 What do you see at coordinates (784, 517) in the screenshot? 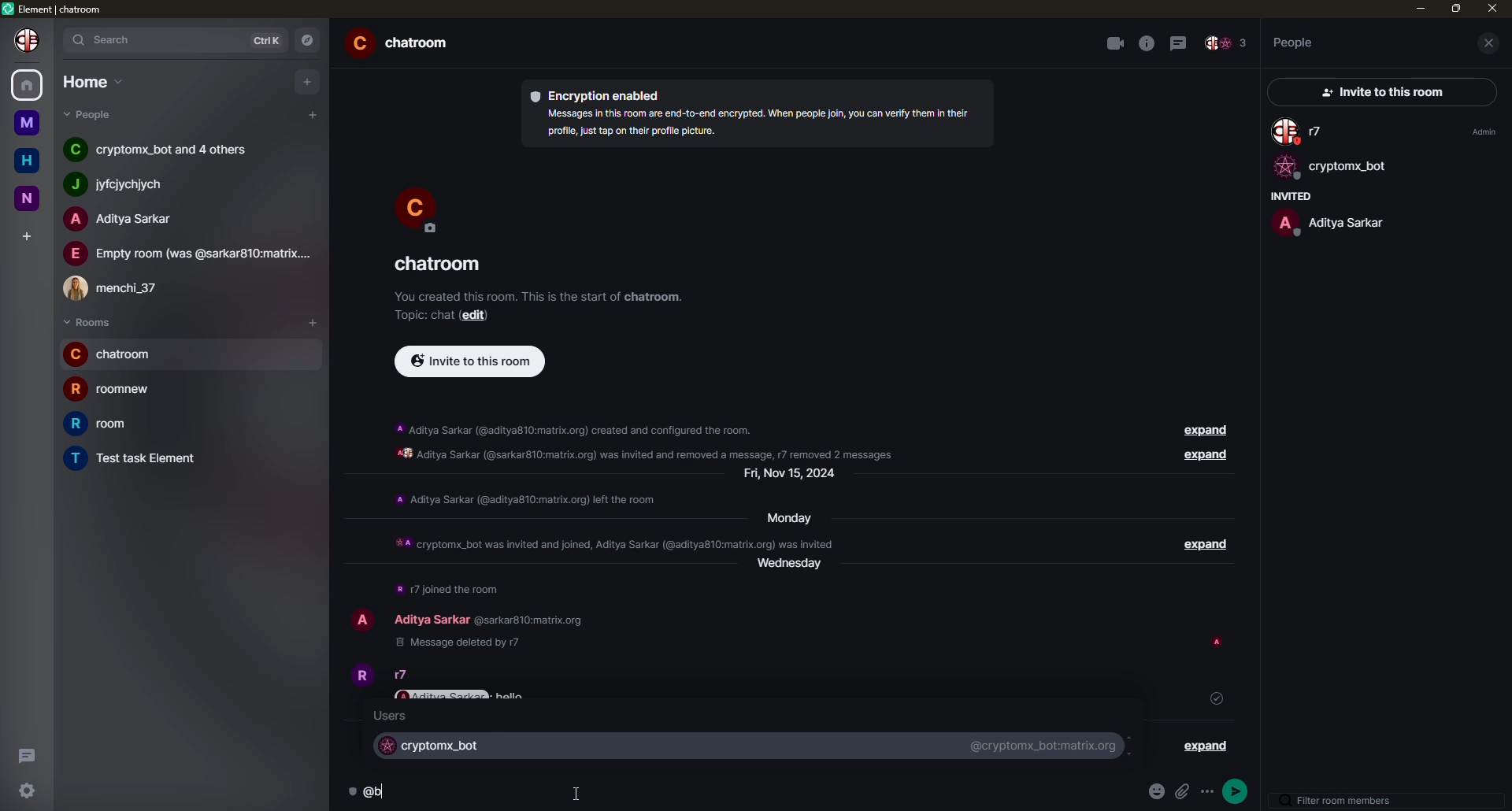
I see `day` at bounding box center [784, 517].